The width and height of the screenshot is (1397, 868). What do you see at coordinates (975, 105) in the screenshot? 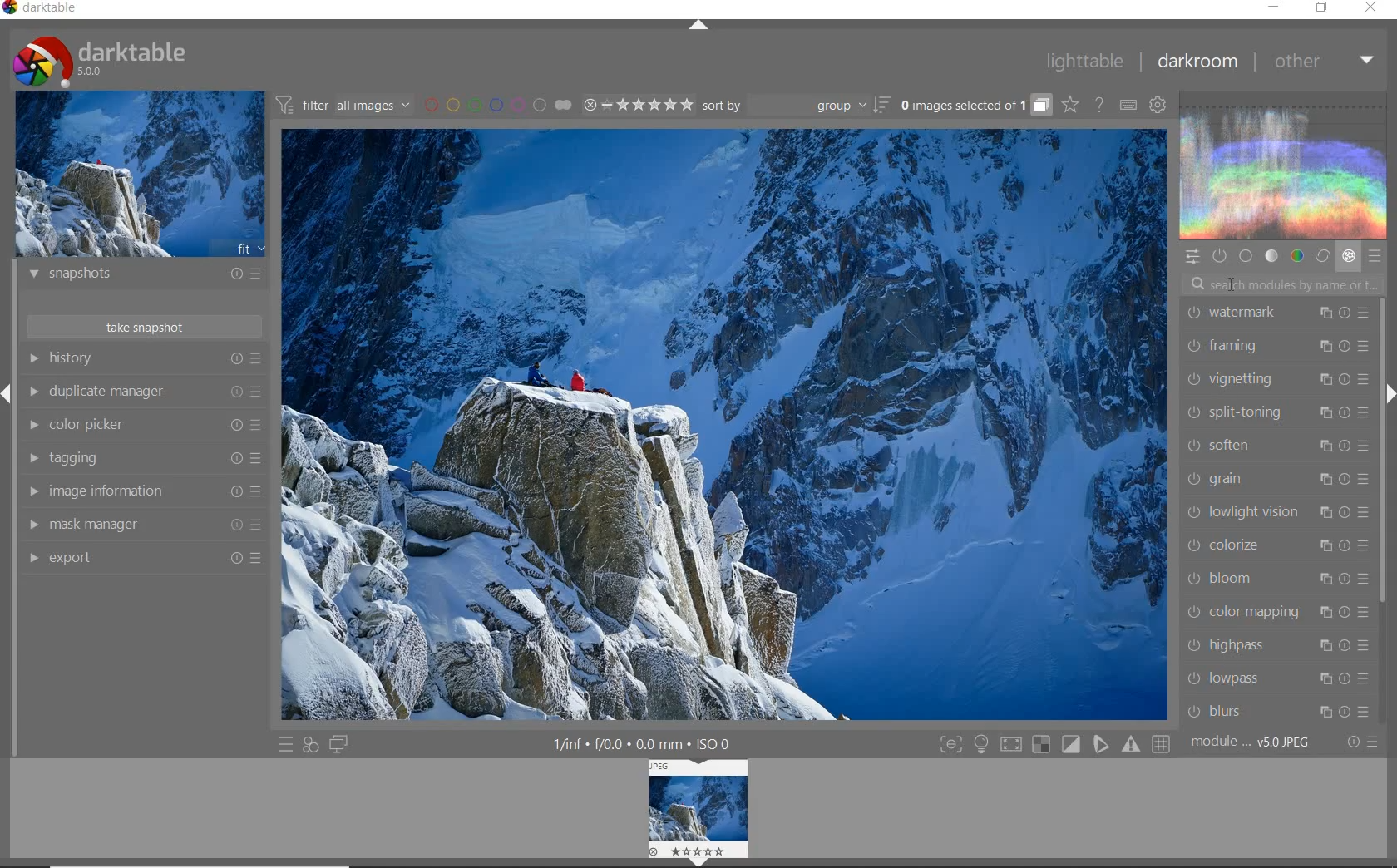
I see `grouped images` at bounding box center [975, 105].